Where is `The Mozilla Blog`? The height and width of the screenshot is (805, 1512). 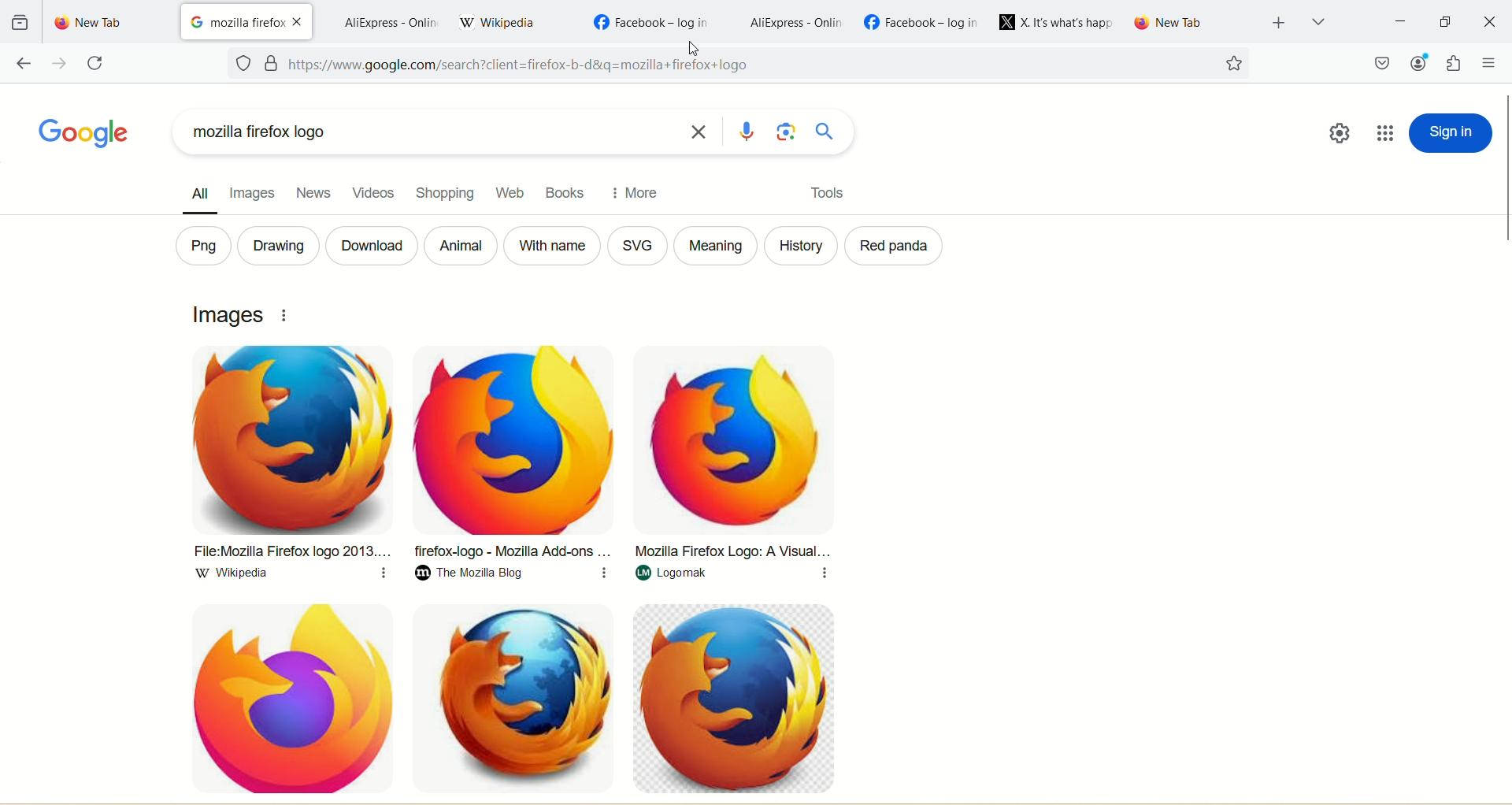 The Mozilla Blog is located at coordinates (517, 577).